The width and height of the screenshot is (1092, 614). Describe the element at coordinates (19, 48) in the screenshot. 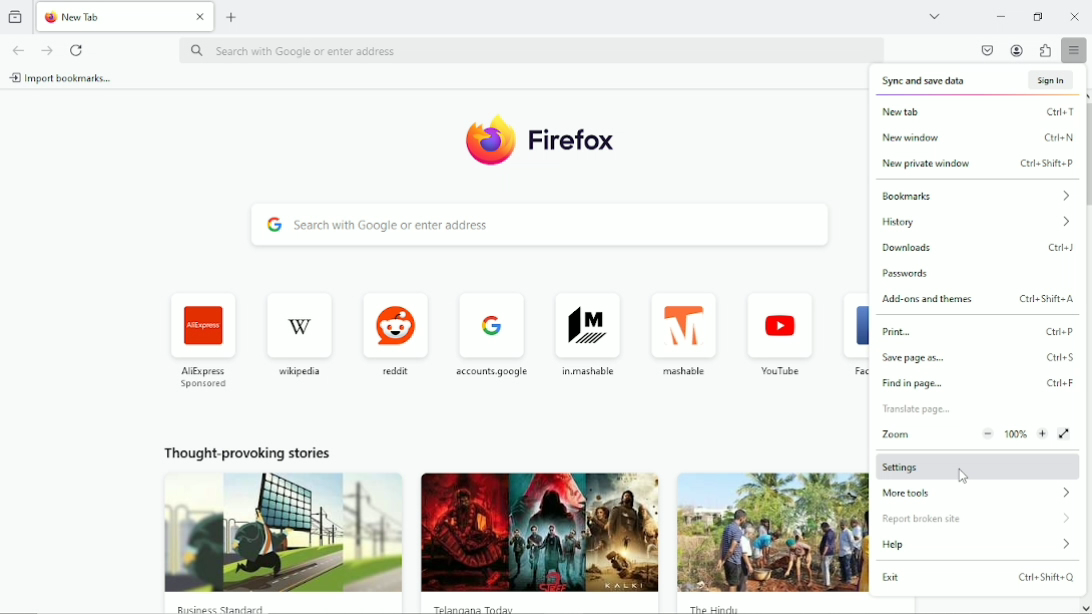

I see `go back` at that location.